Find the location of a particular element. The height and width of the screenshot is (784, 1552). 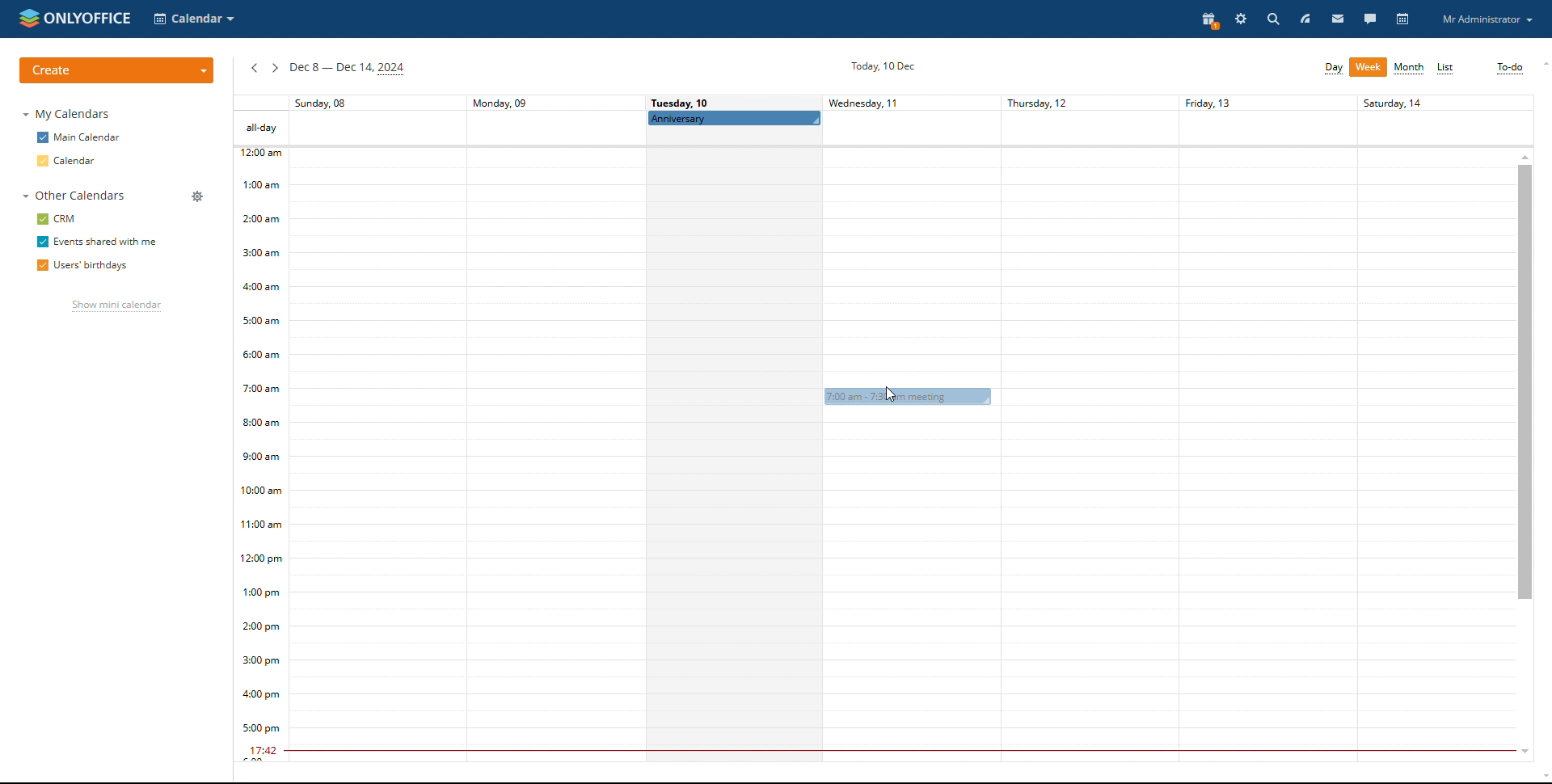

scrollbar is located at coordinates (1525, 381).